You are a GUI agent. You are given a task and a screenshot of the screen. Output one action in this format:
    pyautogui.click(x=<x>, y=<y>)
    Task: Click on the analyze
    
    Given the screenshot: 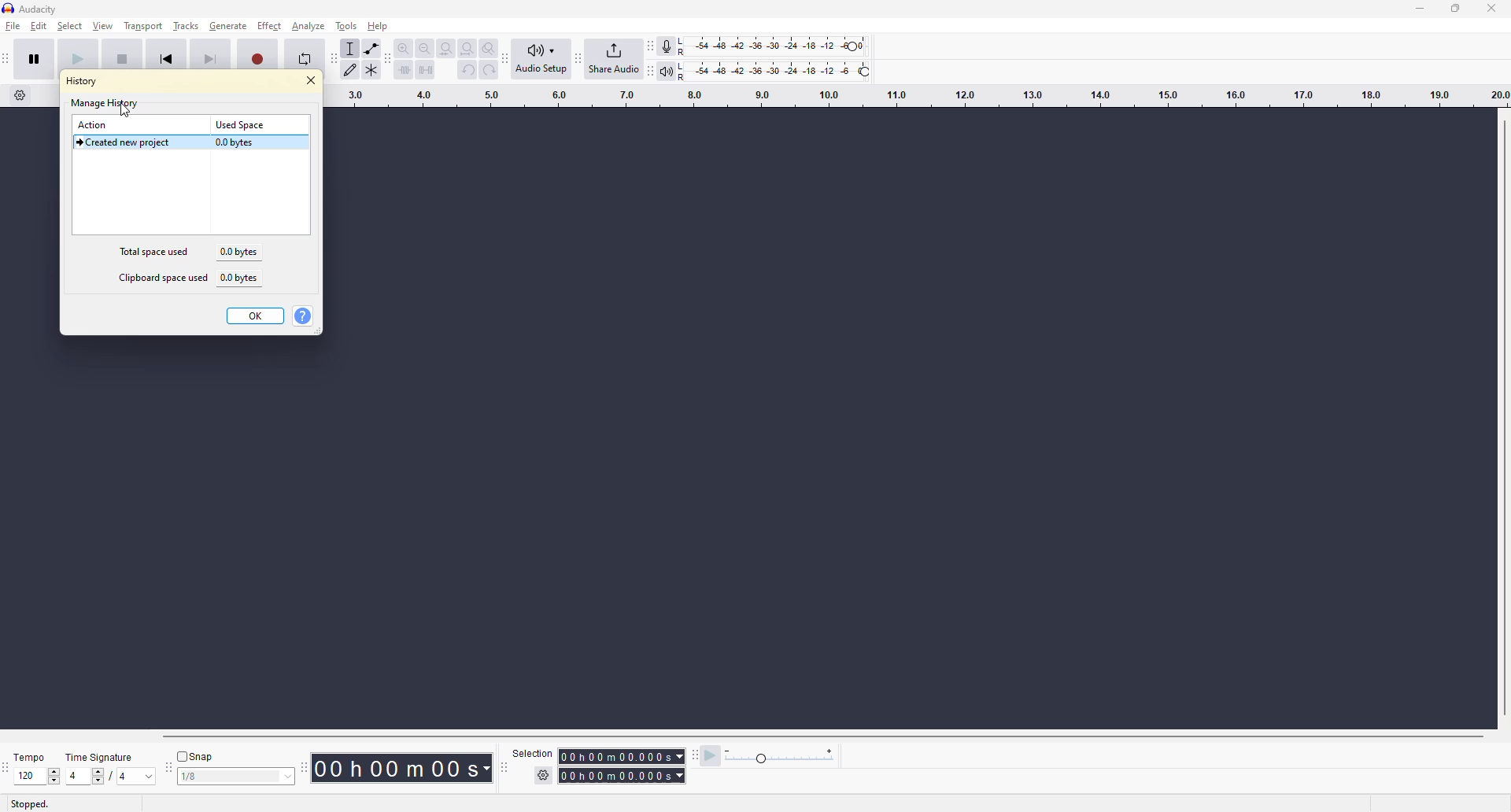 What is the action you would take?
    pyautogui.click(x=305, y=30)
    